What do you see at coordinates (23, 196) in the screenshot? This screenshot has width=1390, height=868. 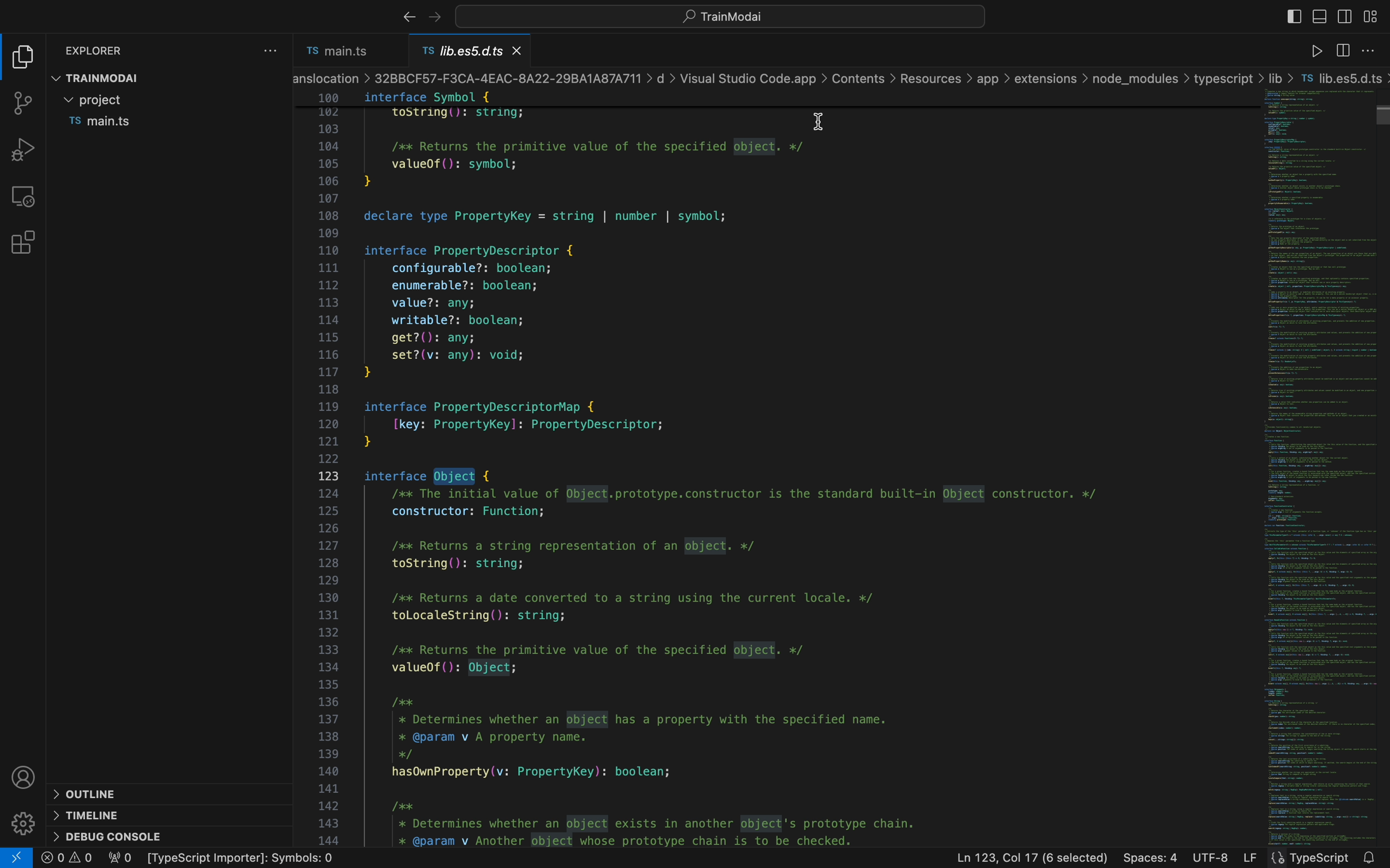 I see `remote explore` at bounding box center [23, 196].